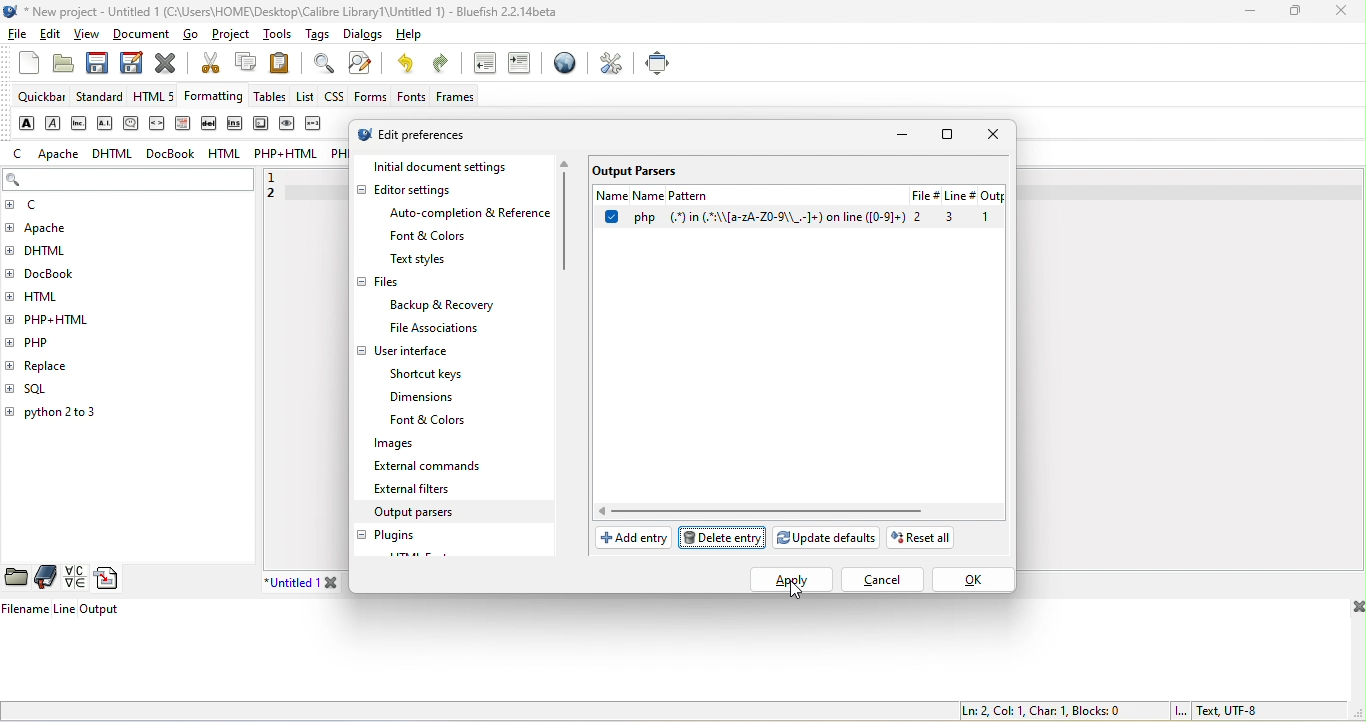  What do you see at coordinates (365, 64) in the screenshot?
I see `find and replace` at bounding box center [365, 64].